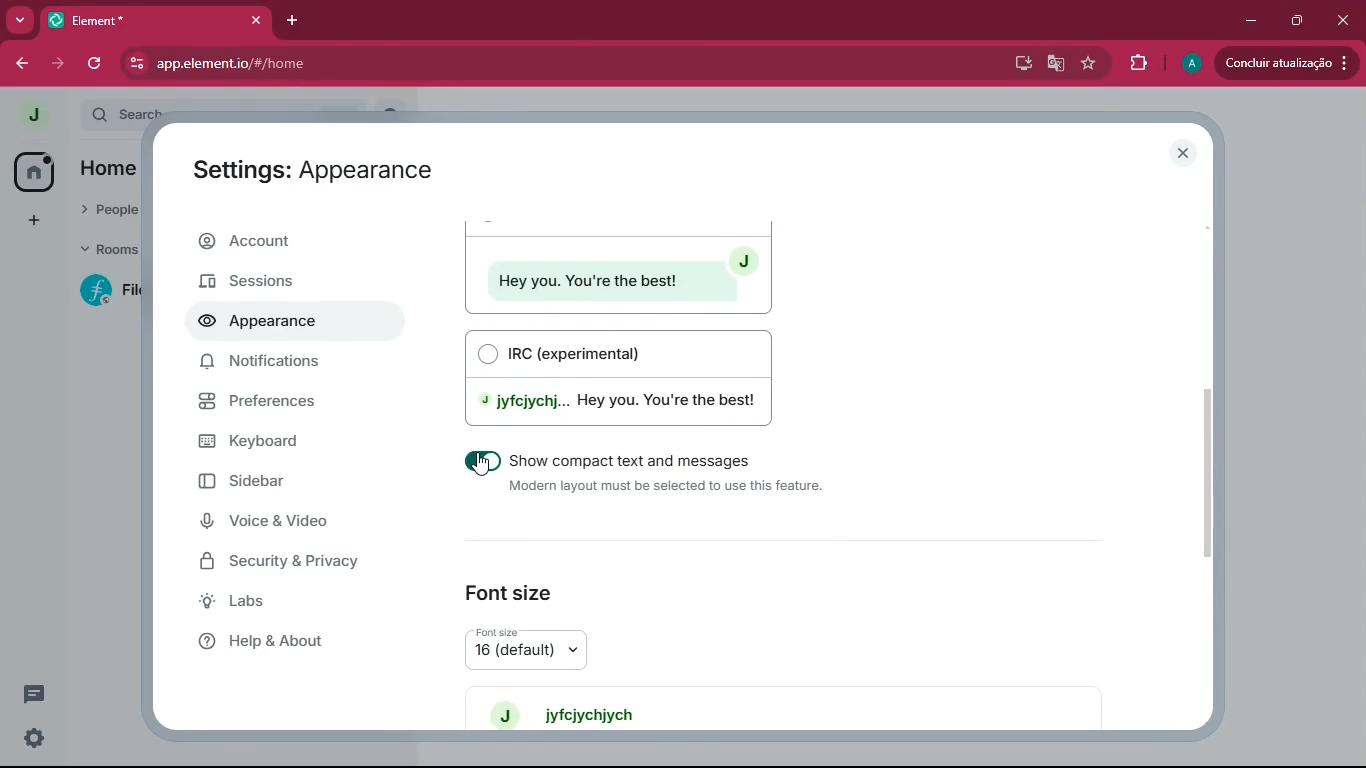 This screenshot has width=1366, height=768. I want to click on ‘Modern layout must be selected to use this feature., so click(669, 488).